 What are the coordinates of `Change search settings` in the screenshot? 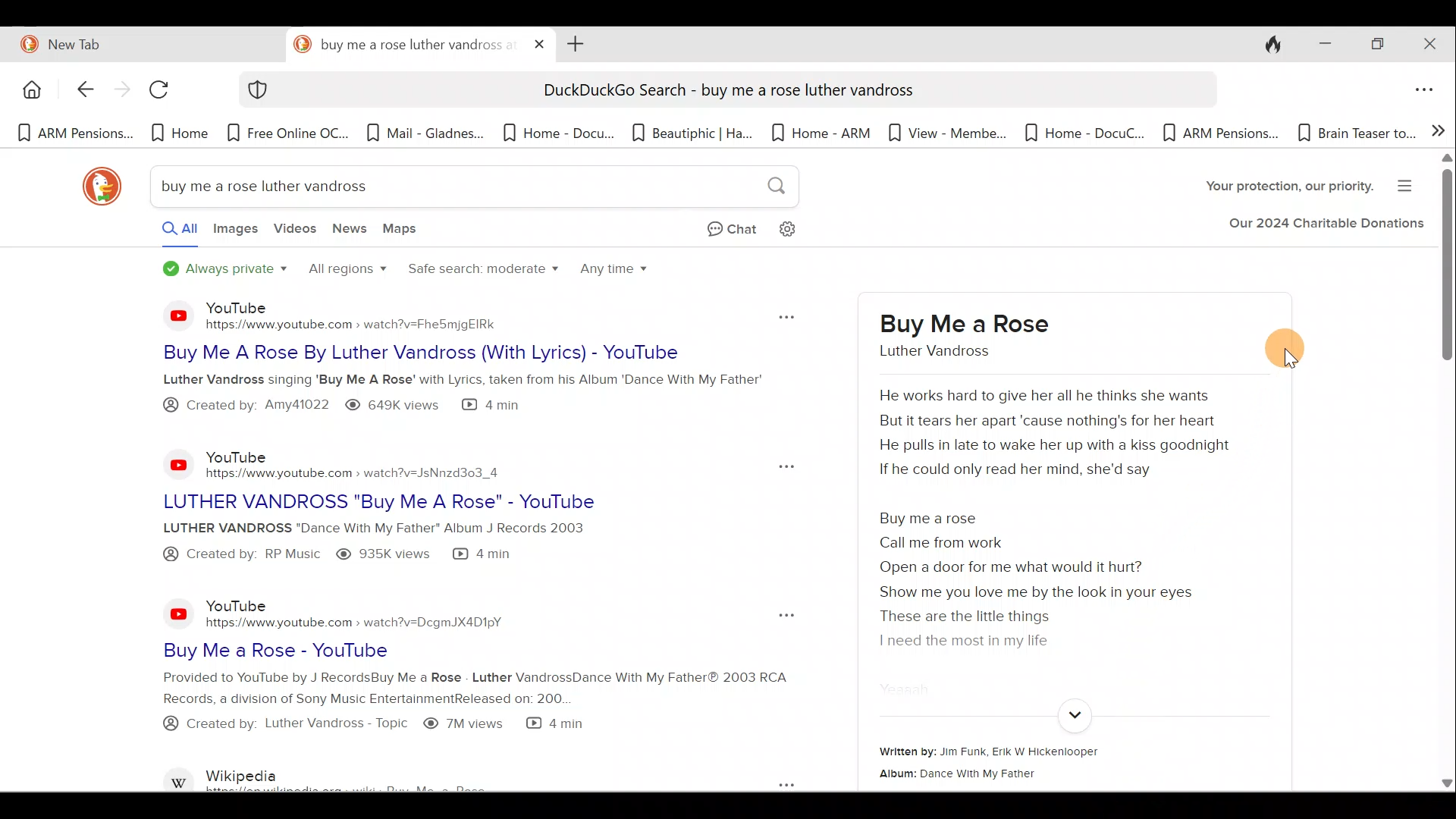 It's located at (800, 227).